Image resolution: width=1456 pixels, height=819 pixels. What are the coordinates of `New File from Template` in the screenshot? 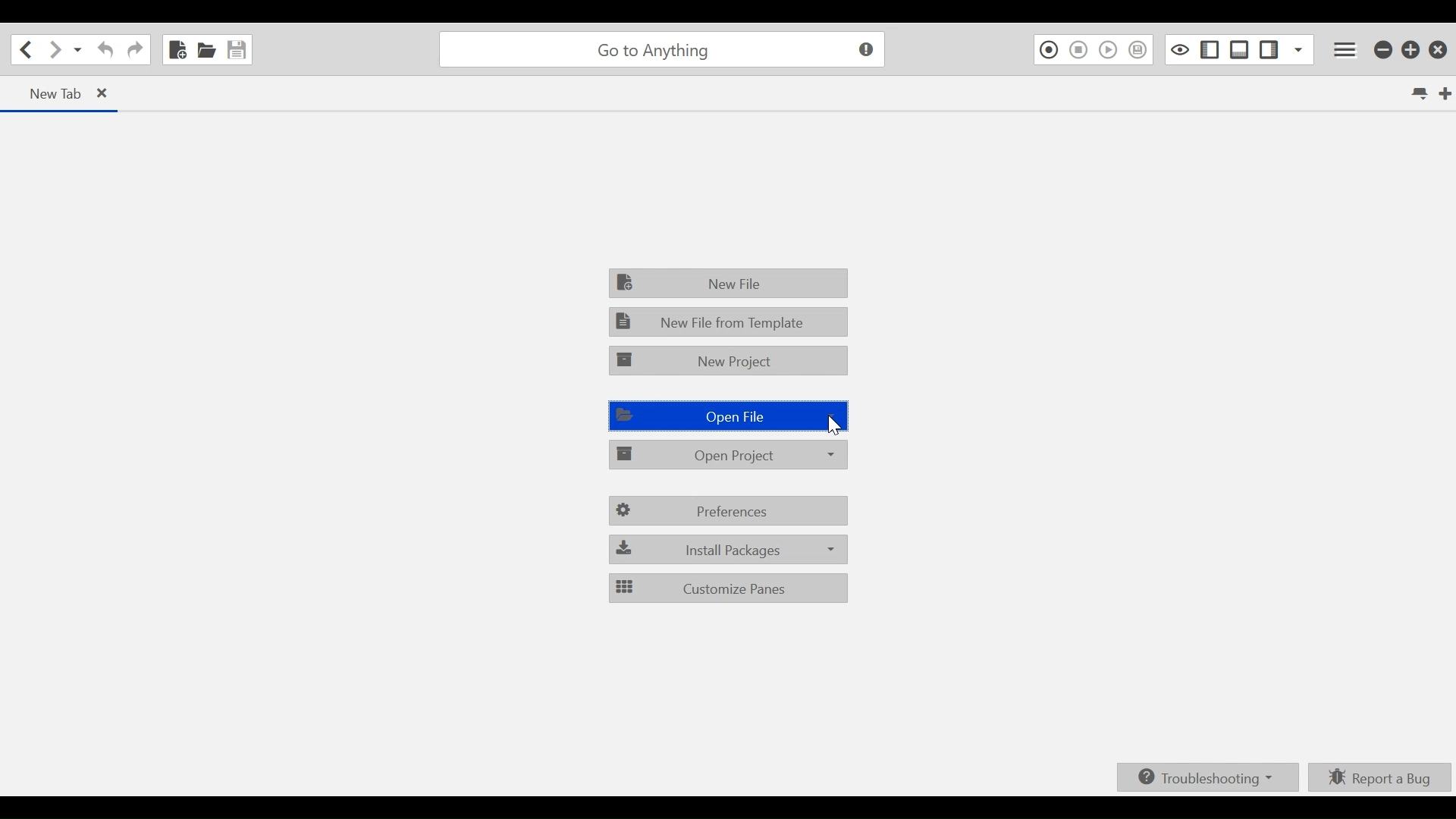 It's located at (727, 323).